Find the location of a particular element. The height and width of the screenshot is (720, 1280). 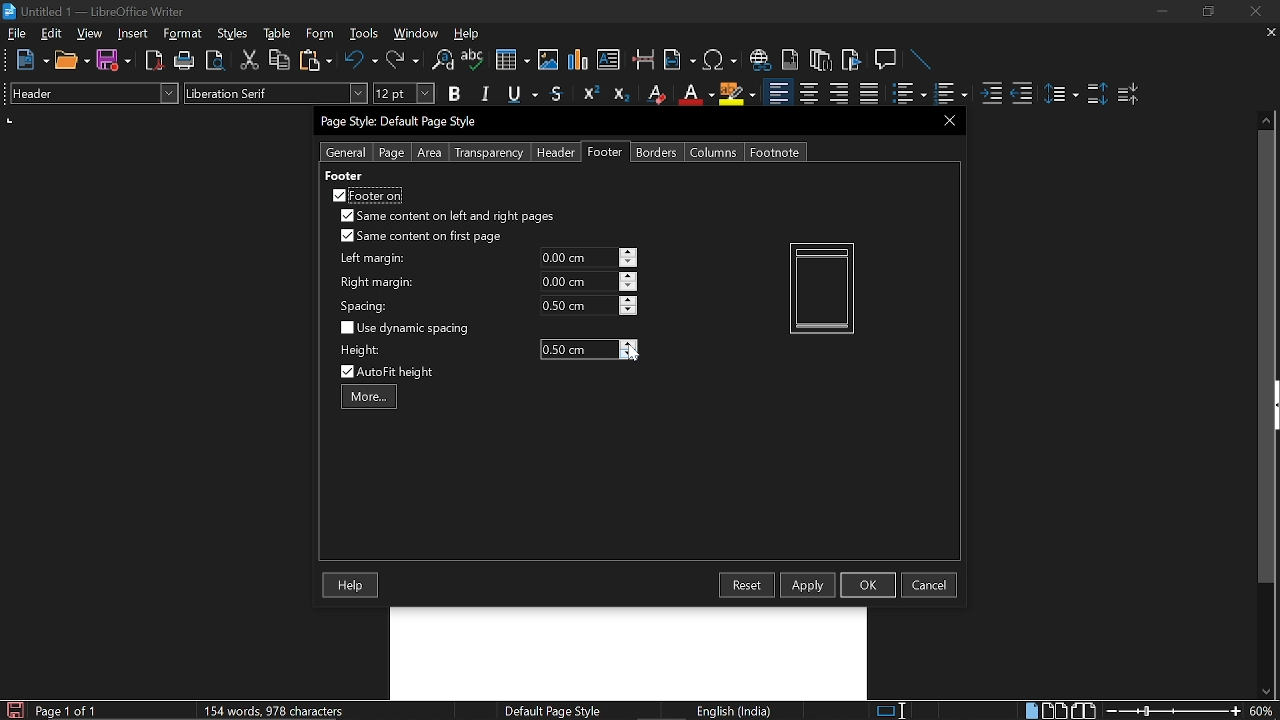

File is located at coordinates (17, 33).